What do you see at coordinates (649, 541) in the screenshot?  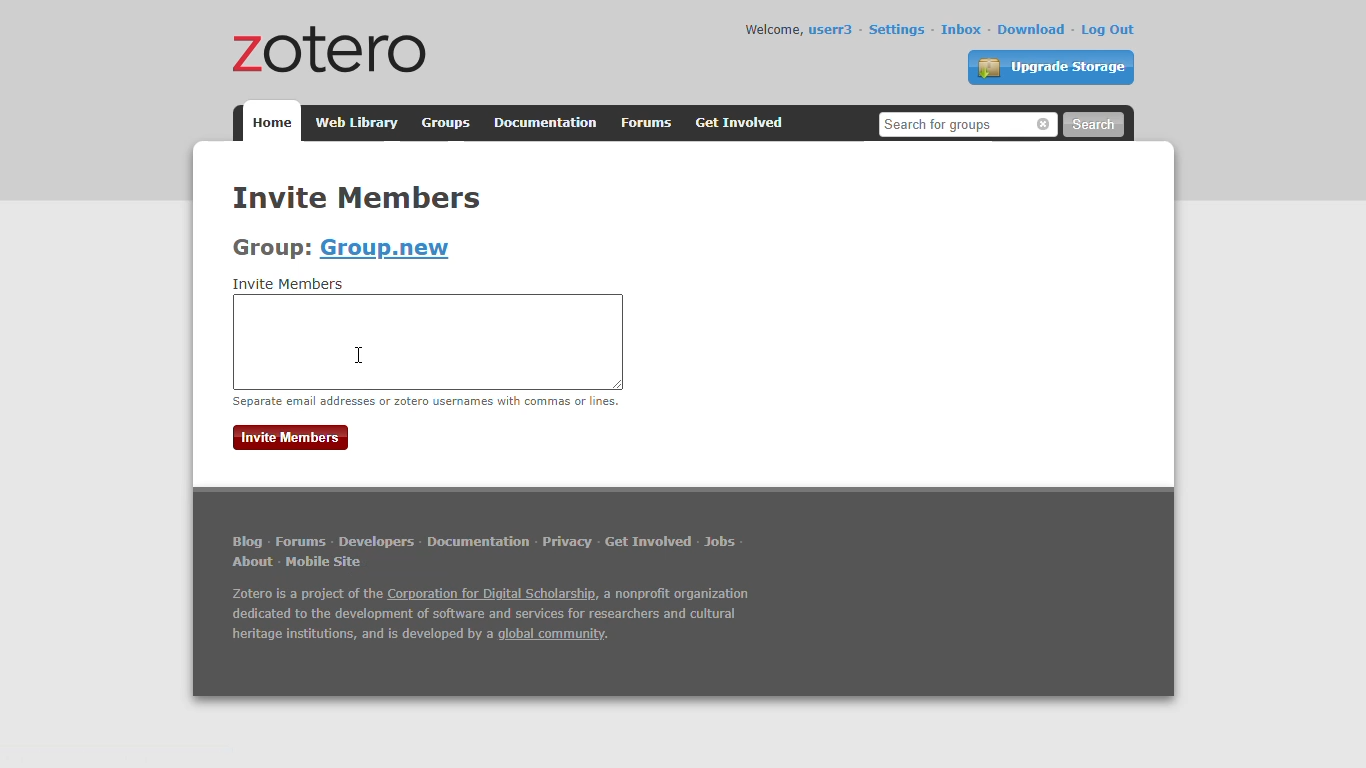 I see `get involved` at bounding box center [649, 541].